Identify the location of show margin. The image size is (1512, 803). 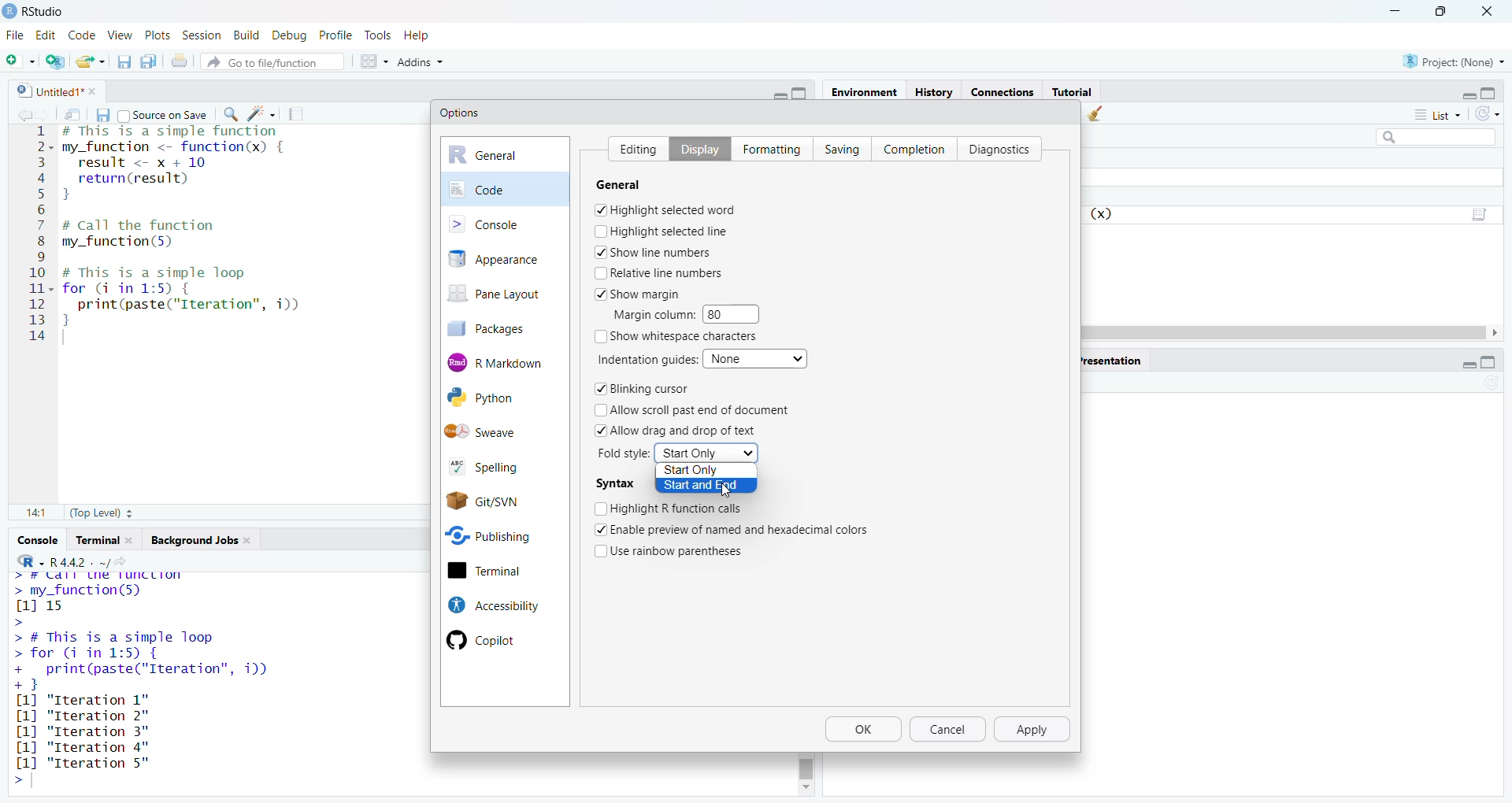
(644, 293).